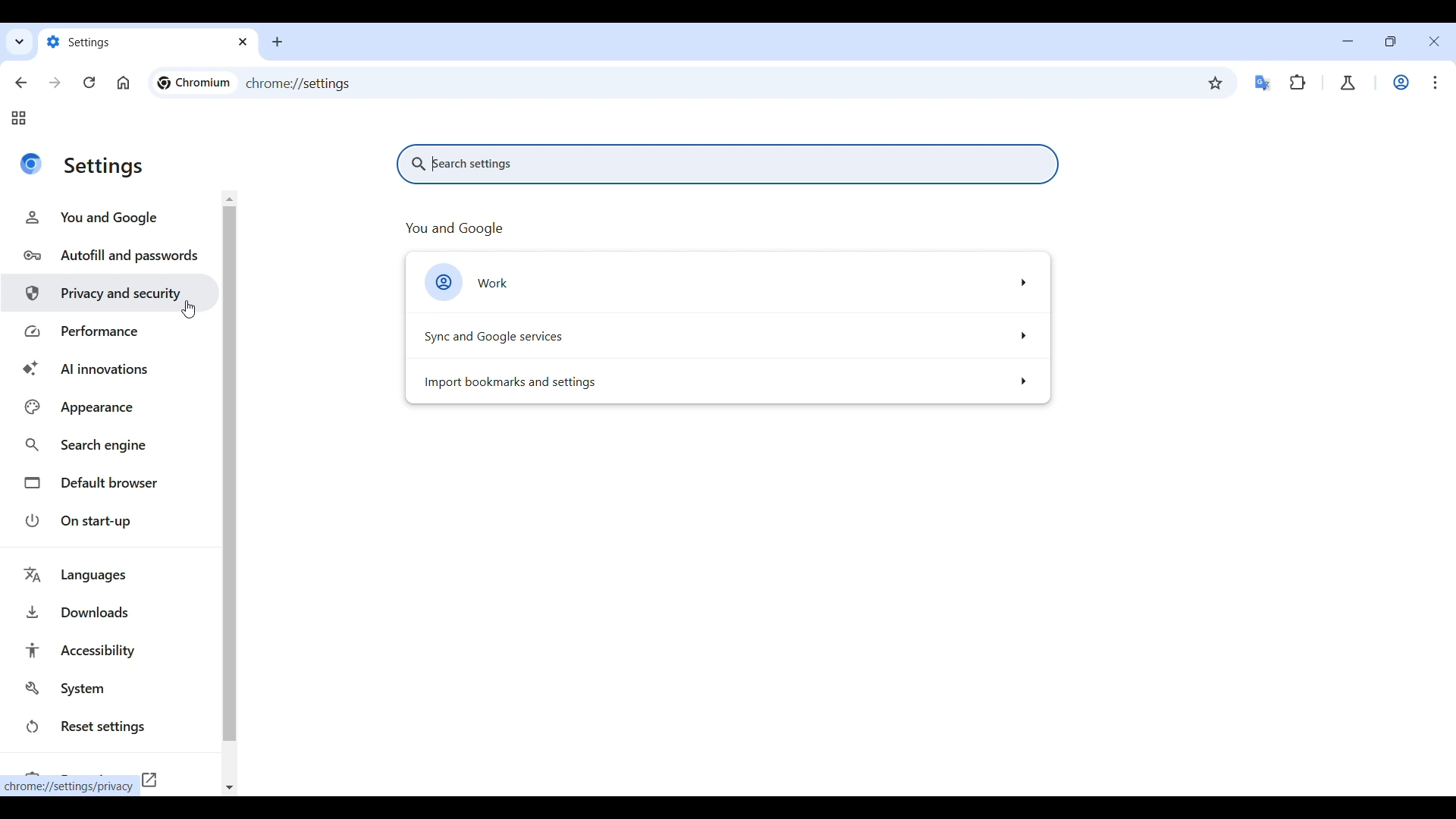 The height and width of the screenshot is (819, 1456). I want to click on settings, so click(136, 40).